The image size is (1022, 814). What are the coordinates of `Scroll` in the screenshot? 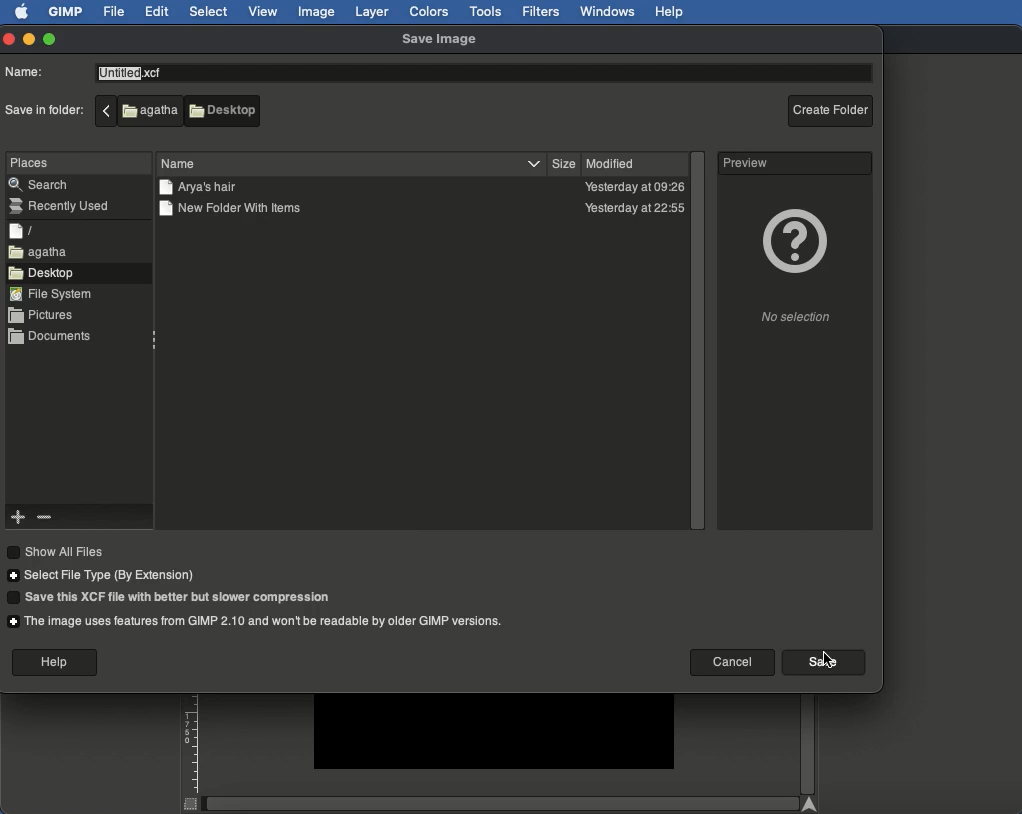 It's located at (807, 744).